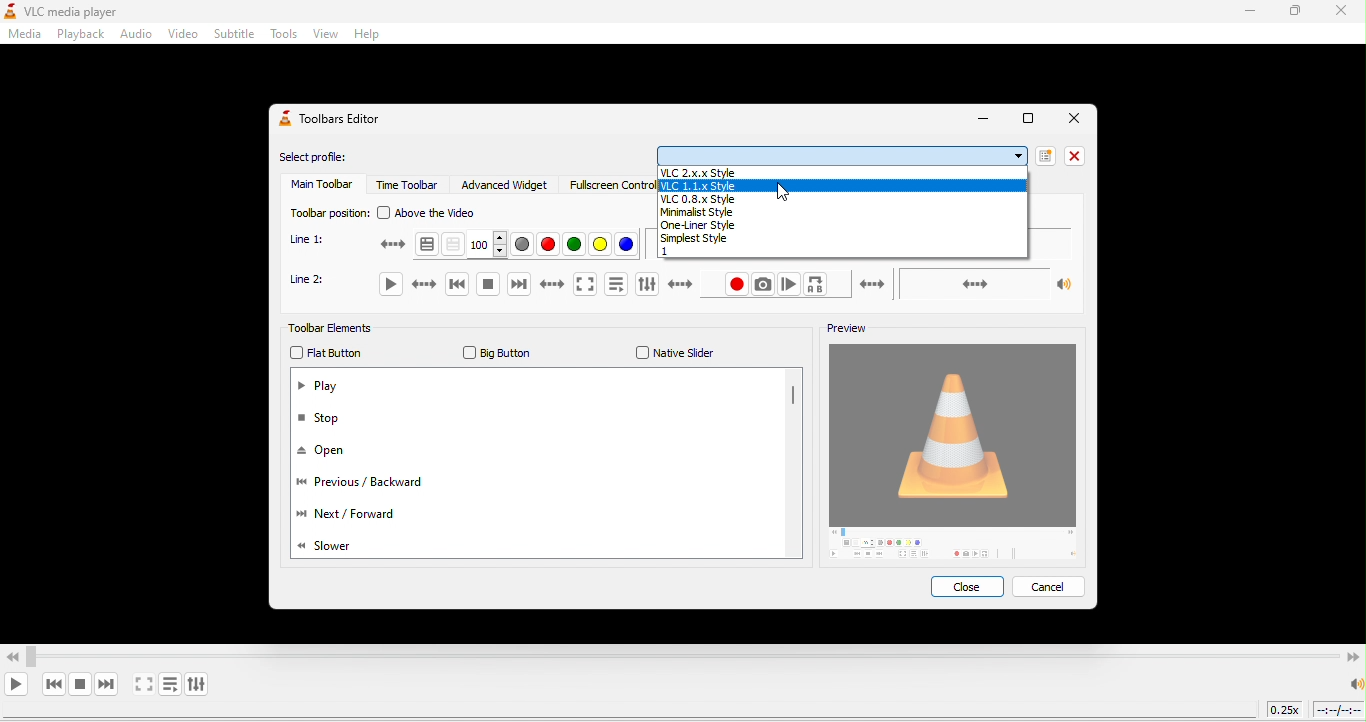 The width and height of the screenshot is (1366, 722). What do you see at coordinates (969, 589) in the screenshot?
I see `close` at bounding box center [969, 589].